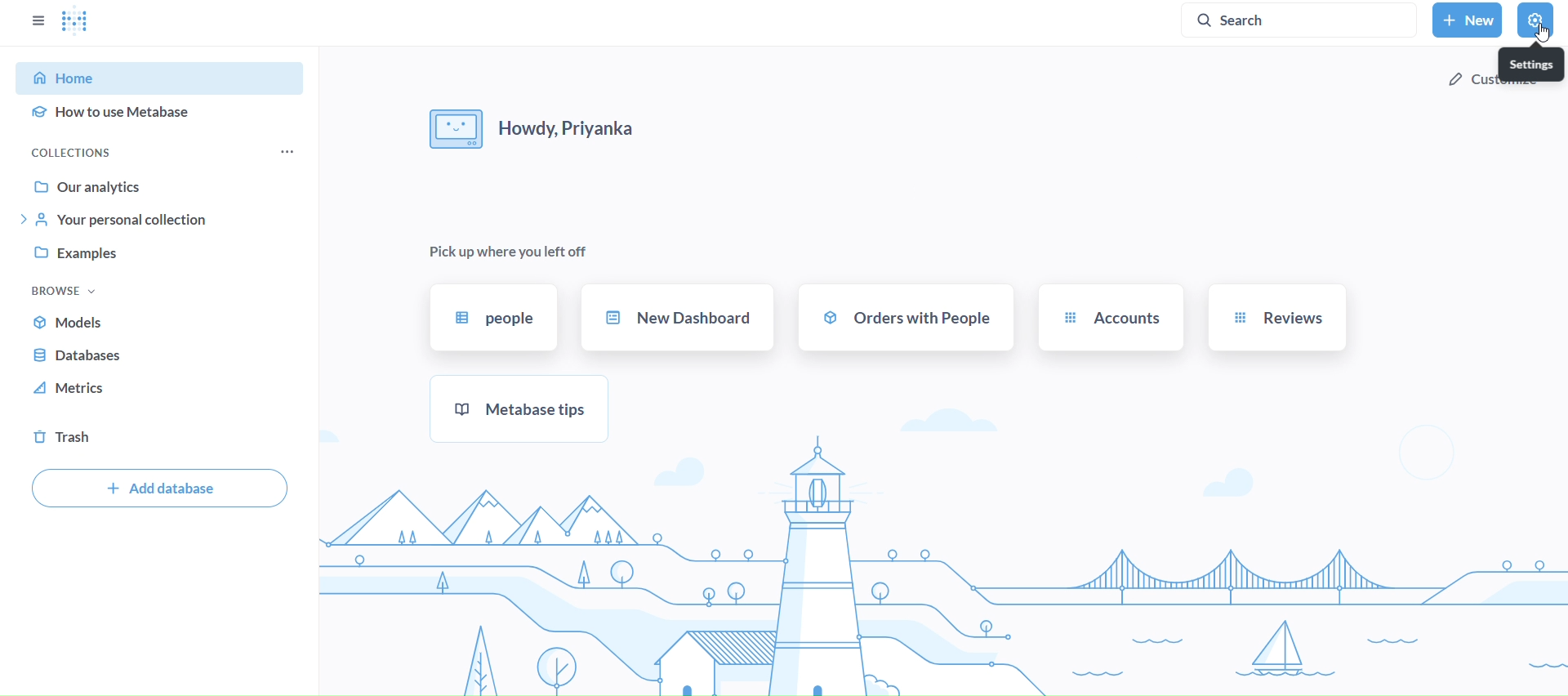  What do you see at coordinates (158, 489) in the screenshot?
I see `add database` at bounding box center [158, 489].